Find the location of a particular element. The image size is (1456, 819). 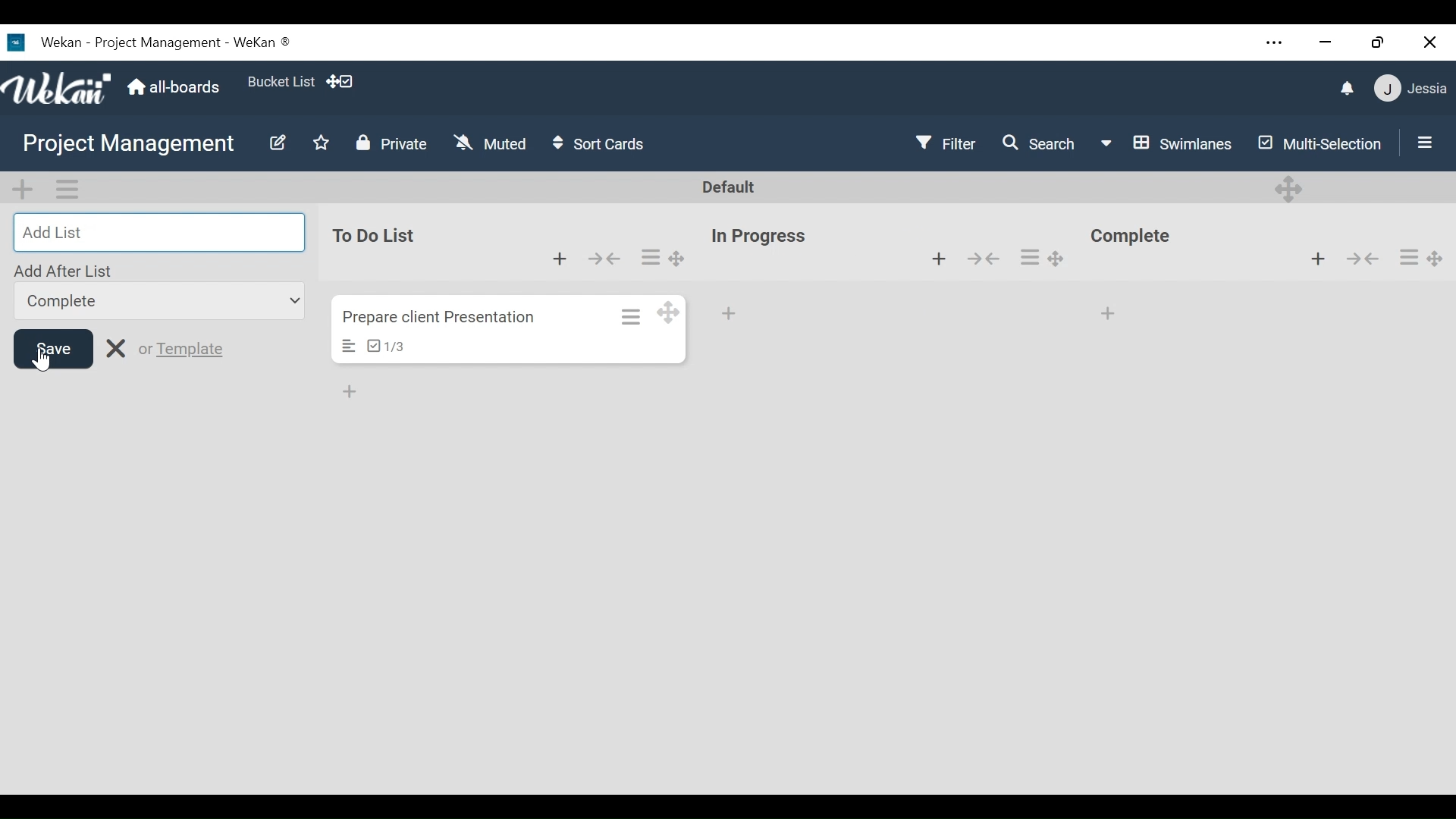

Collapse is located at coordinates (1364, 259).